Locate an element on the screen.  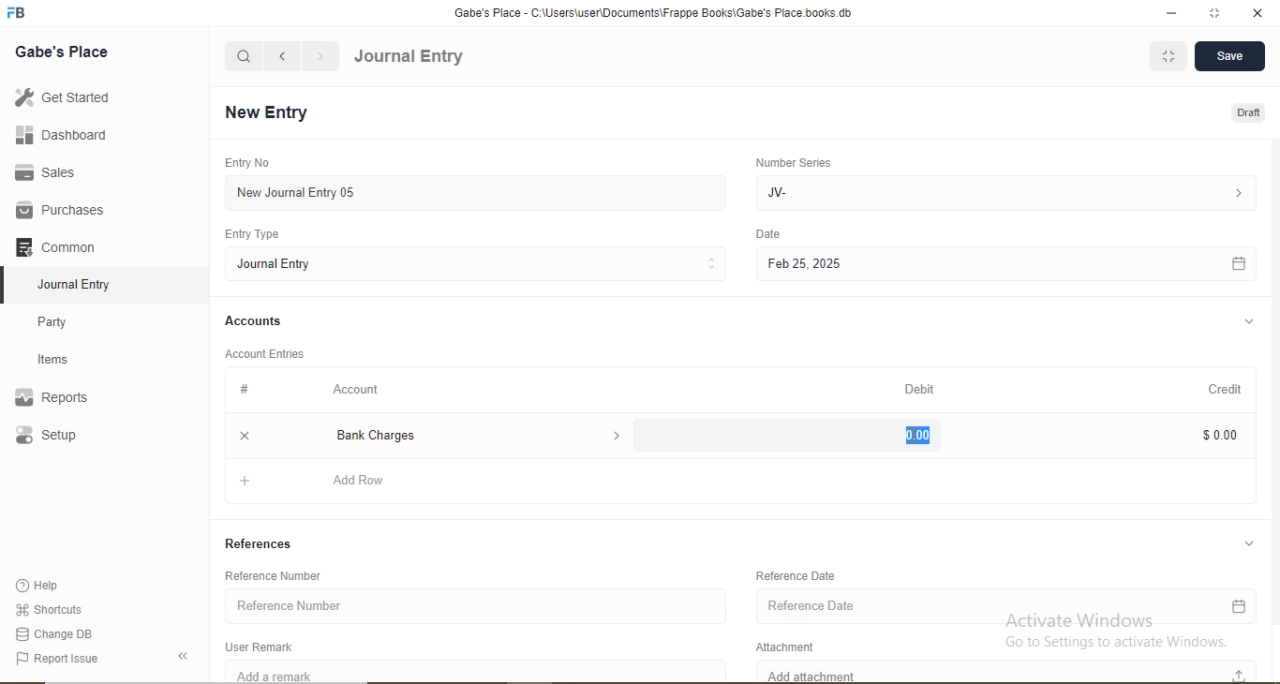
References. is located at coordinates (259, 543).